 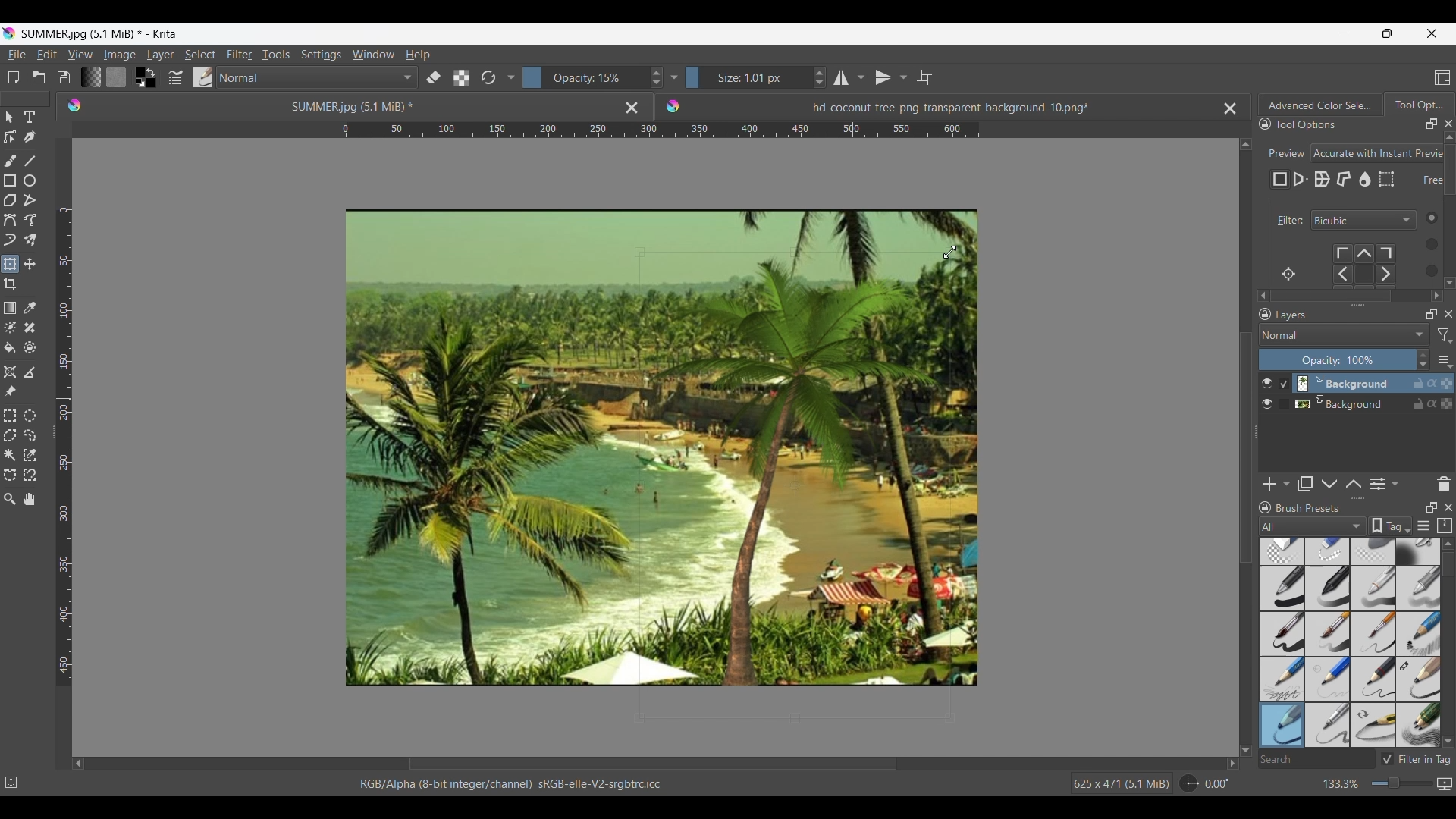 I want to click on Open an existing document, so click(x=38, y=77).